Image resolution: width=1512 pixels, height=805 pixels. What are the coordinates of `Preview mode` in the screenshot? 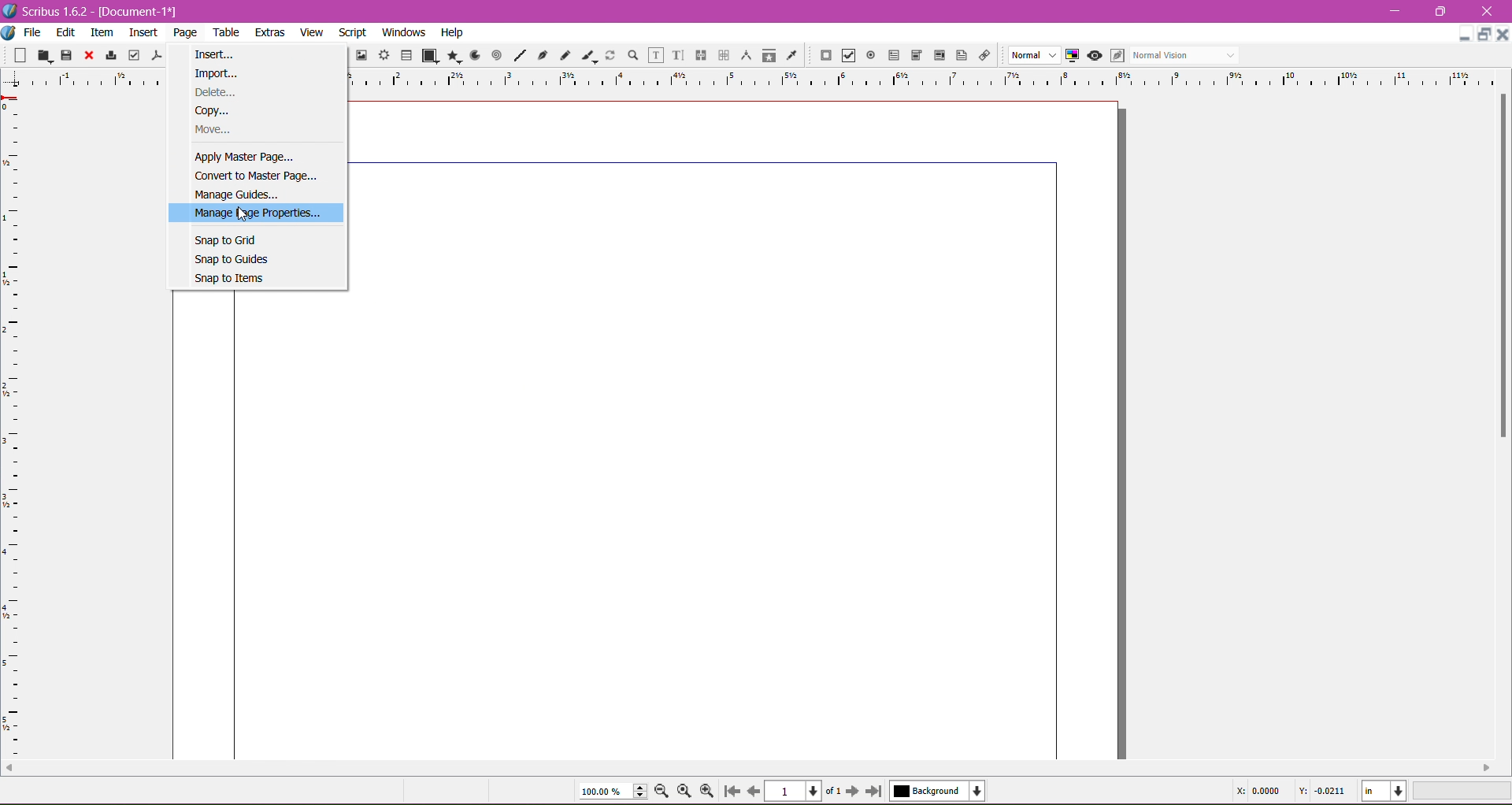 It's located at (1095, 56).